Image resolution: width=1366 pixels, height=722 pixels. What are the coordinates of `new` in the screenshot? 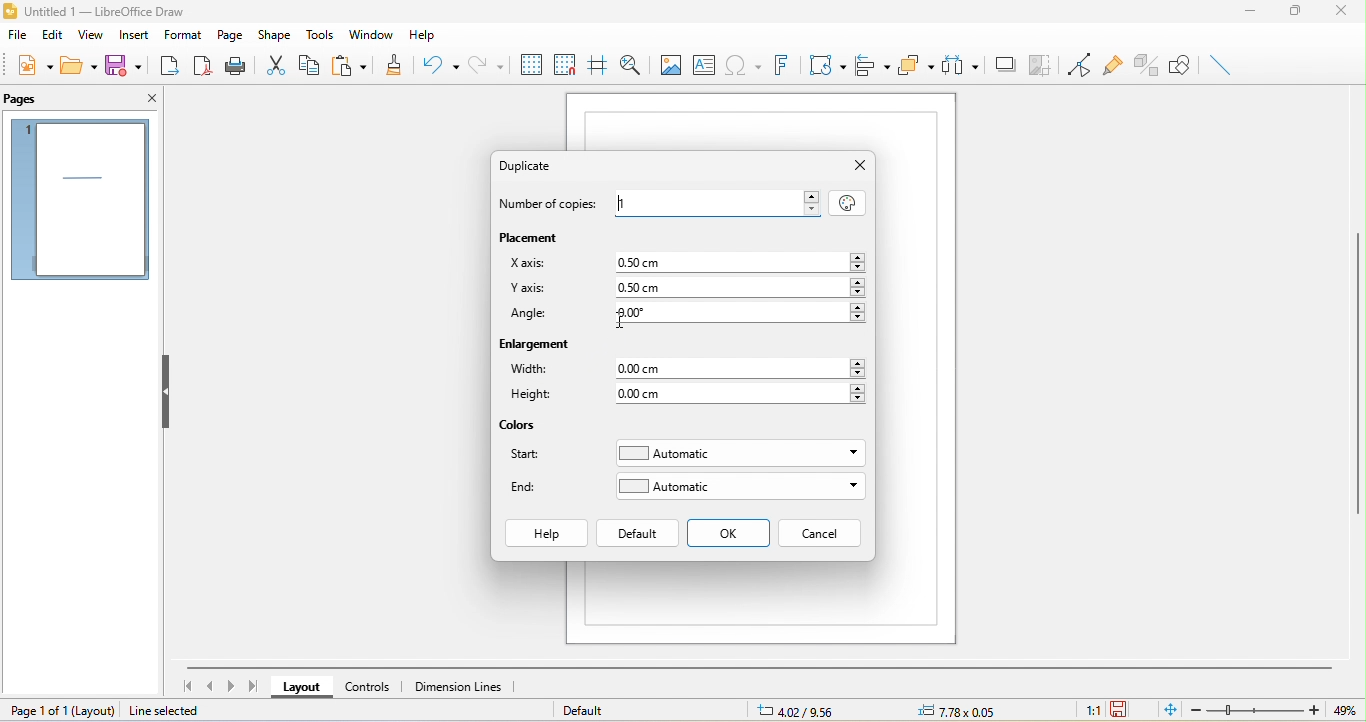 It's located at (33, 65).